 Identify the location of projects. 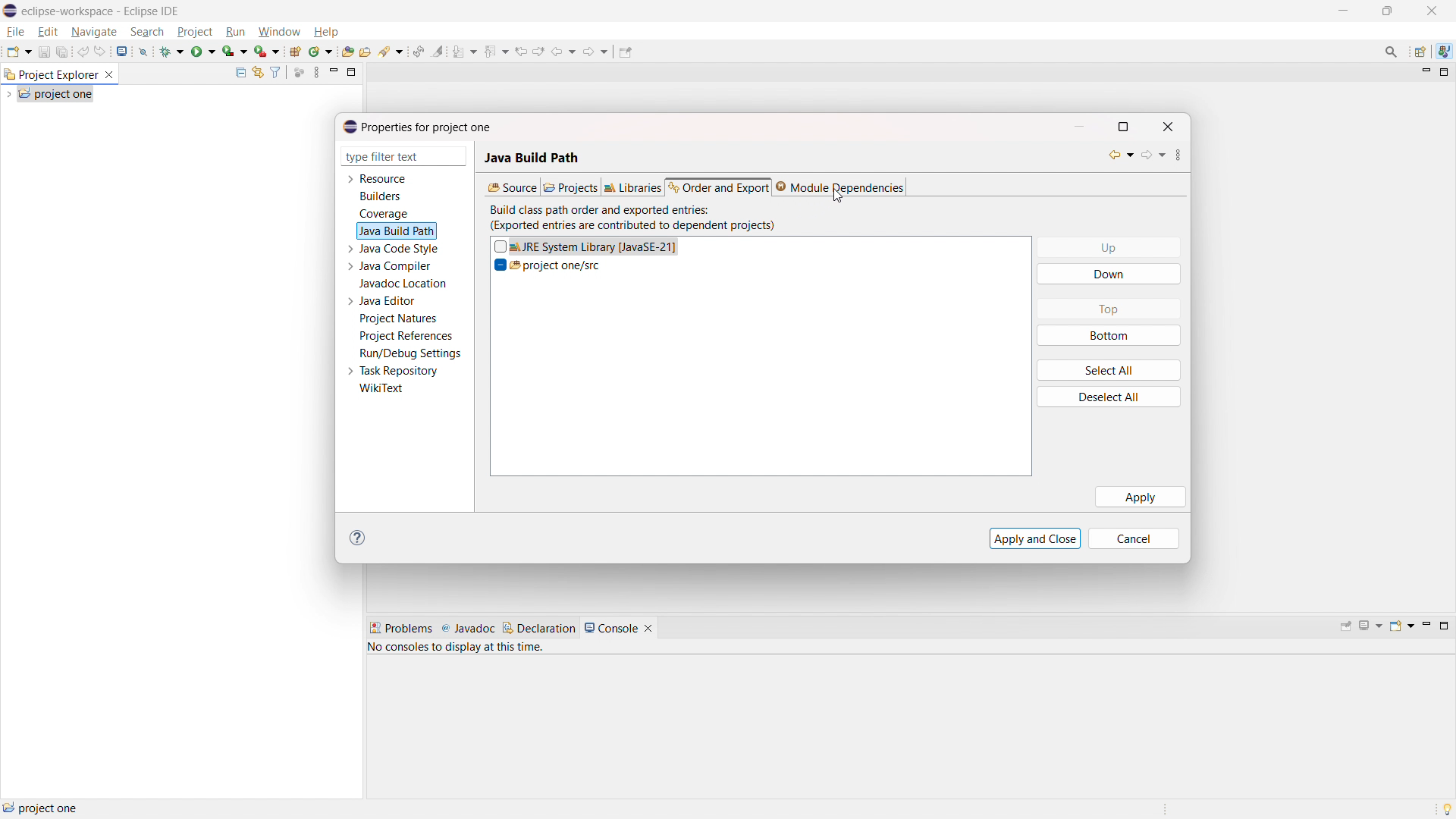
(570, 187).